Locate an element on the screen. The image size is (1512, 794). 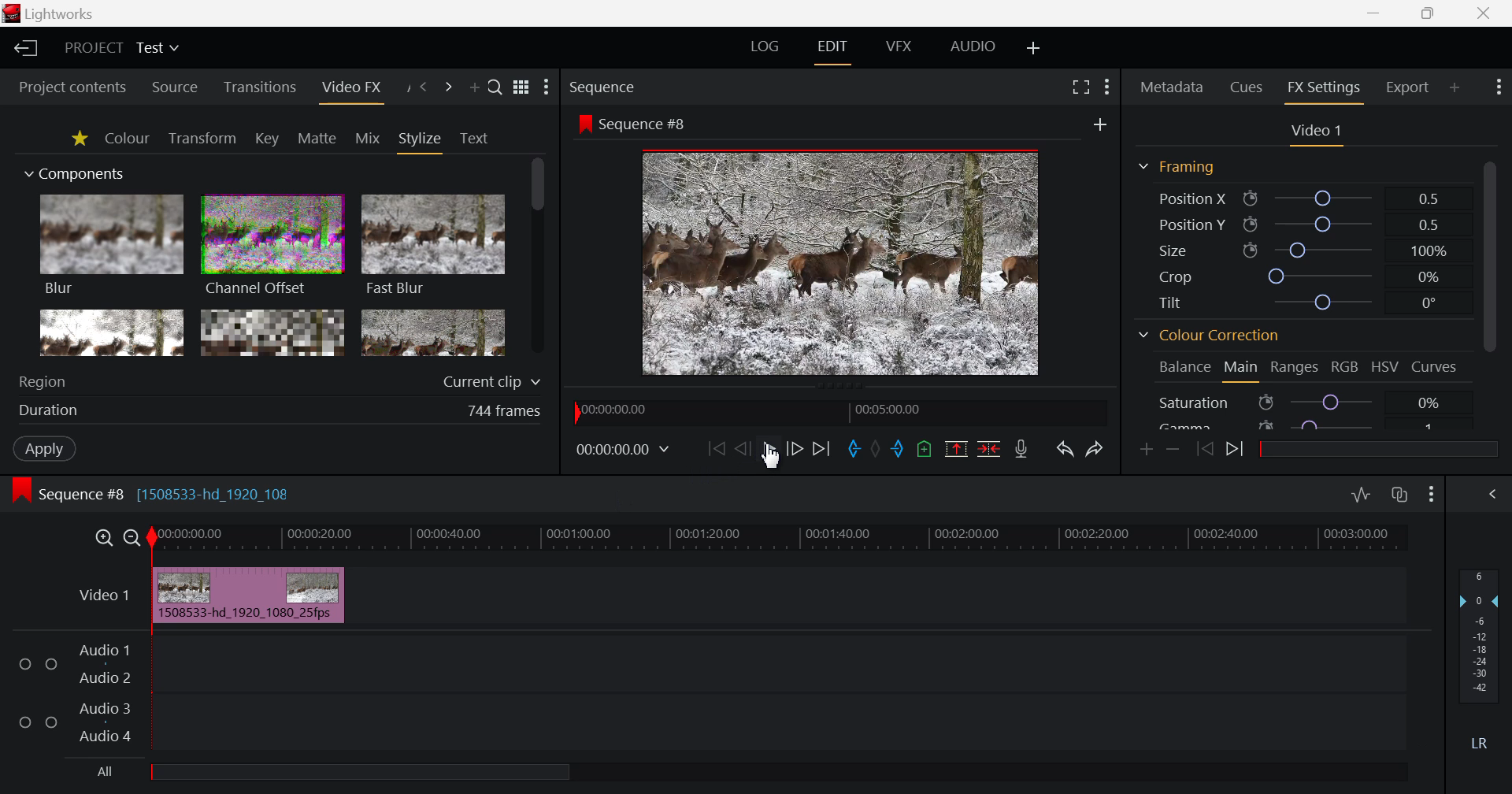
Channel Offset is located at coordinates (272, 247).